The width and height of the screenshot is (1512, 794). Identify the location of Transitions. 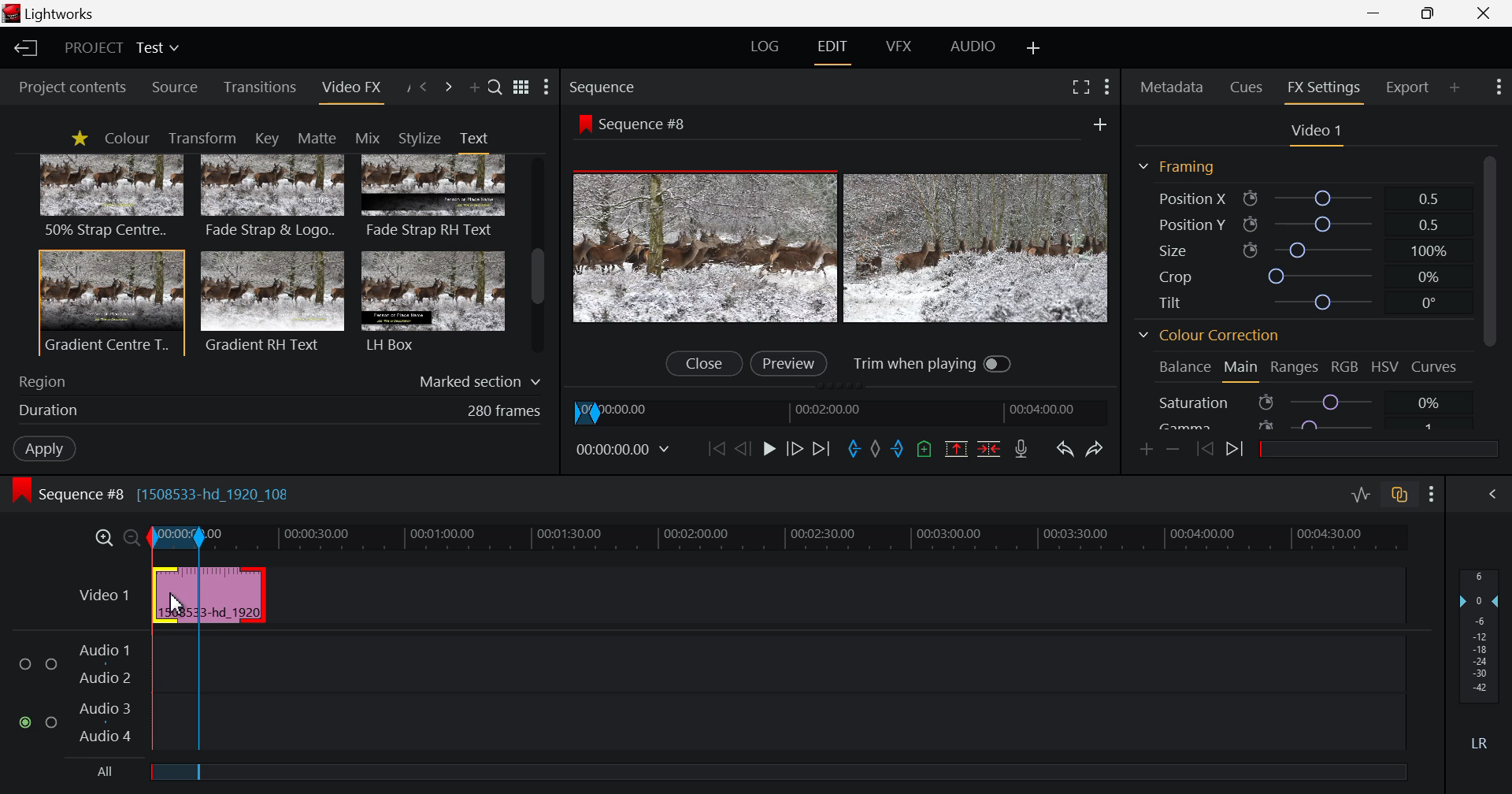
(261, 87).